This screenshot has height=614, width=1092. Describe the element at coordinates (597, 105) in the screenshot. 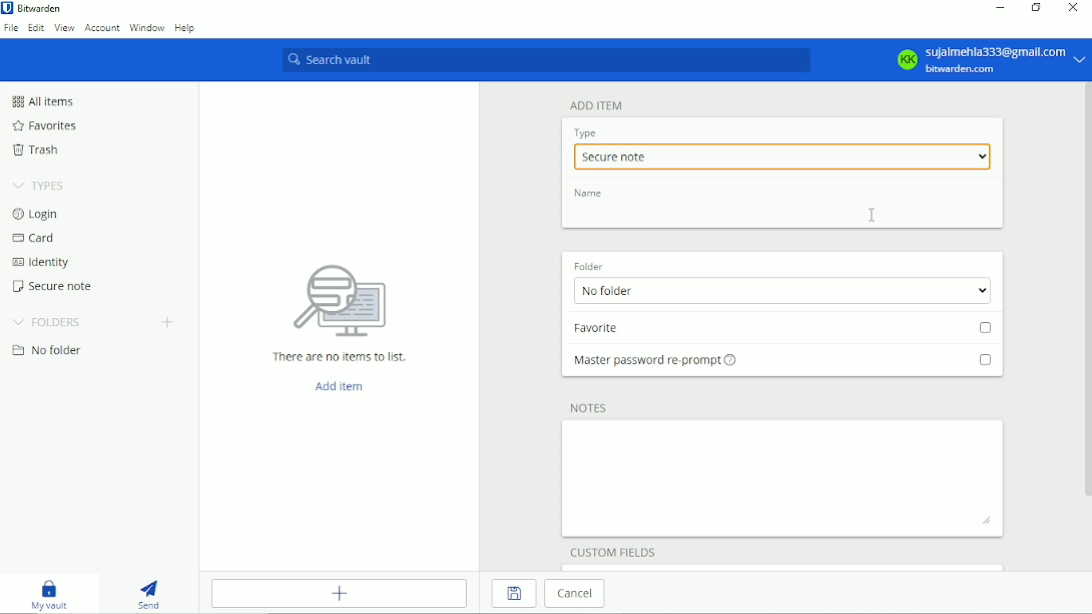

I see `Add item` at that location.